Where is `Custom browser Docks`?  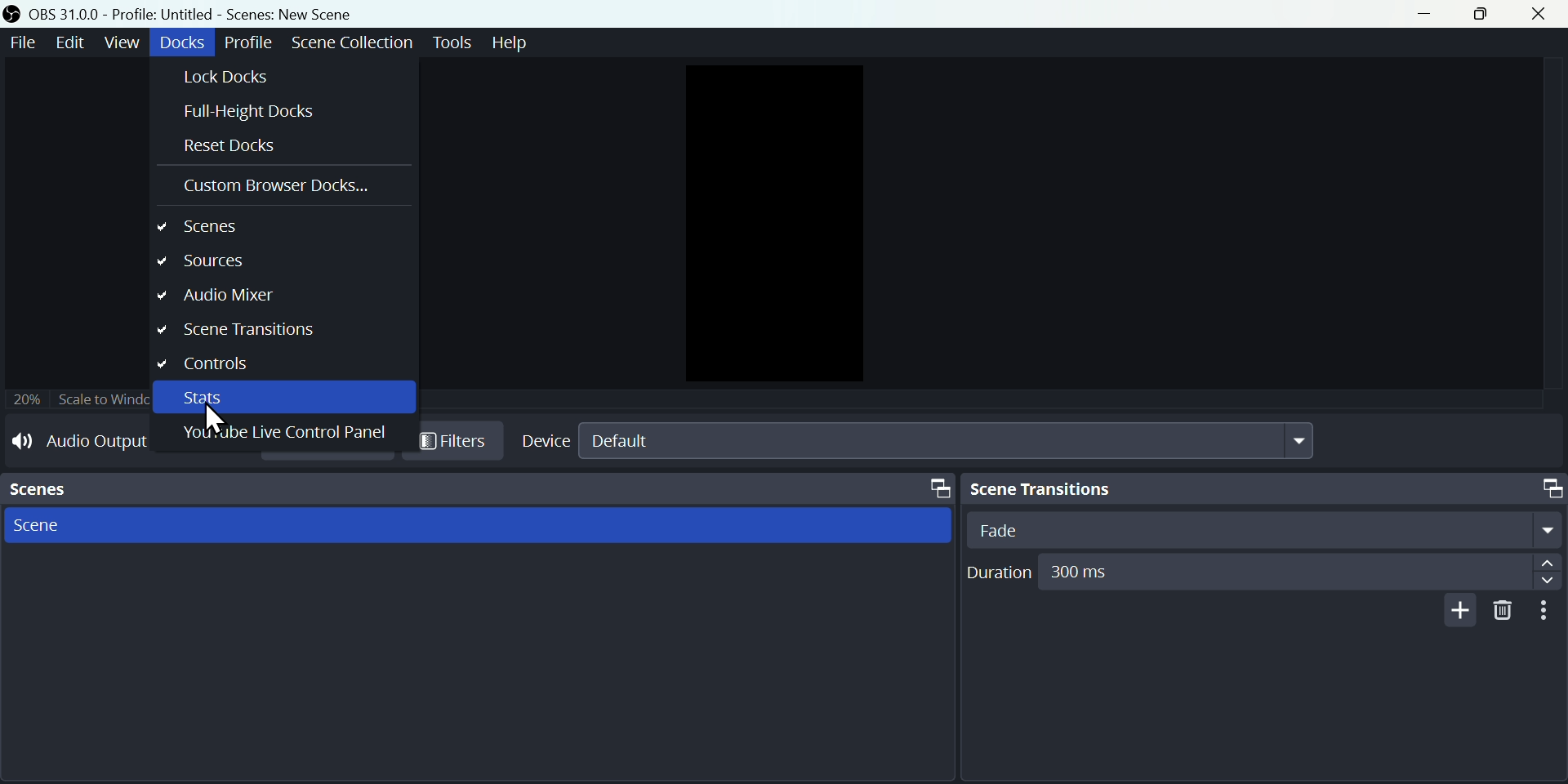
Custom browser Docks is located at coordinates (270, 185).